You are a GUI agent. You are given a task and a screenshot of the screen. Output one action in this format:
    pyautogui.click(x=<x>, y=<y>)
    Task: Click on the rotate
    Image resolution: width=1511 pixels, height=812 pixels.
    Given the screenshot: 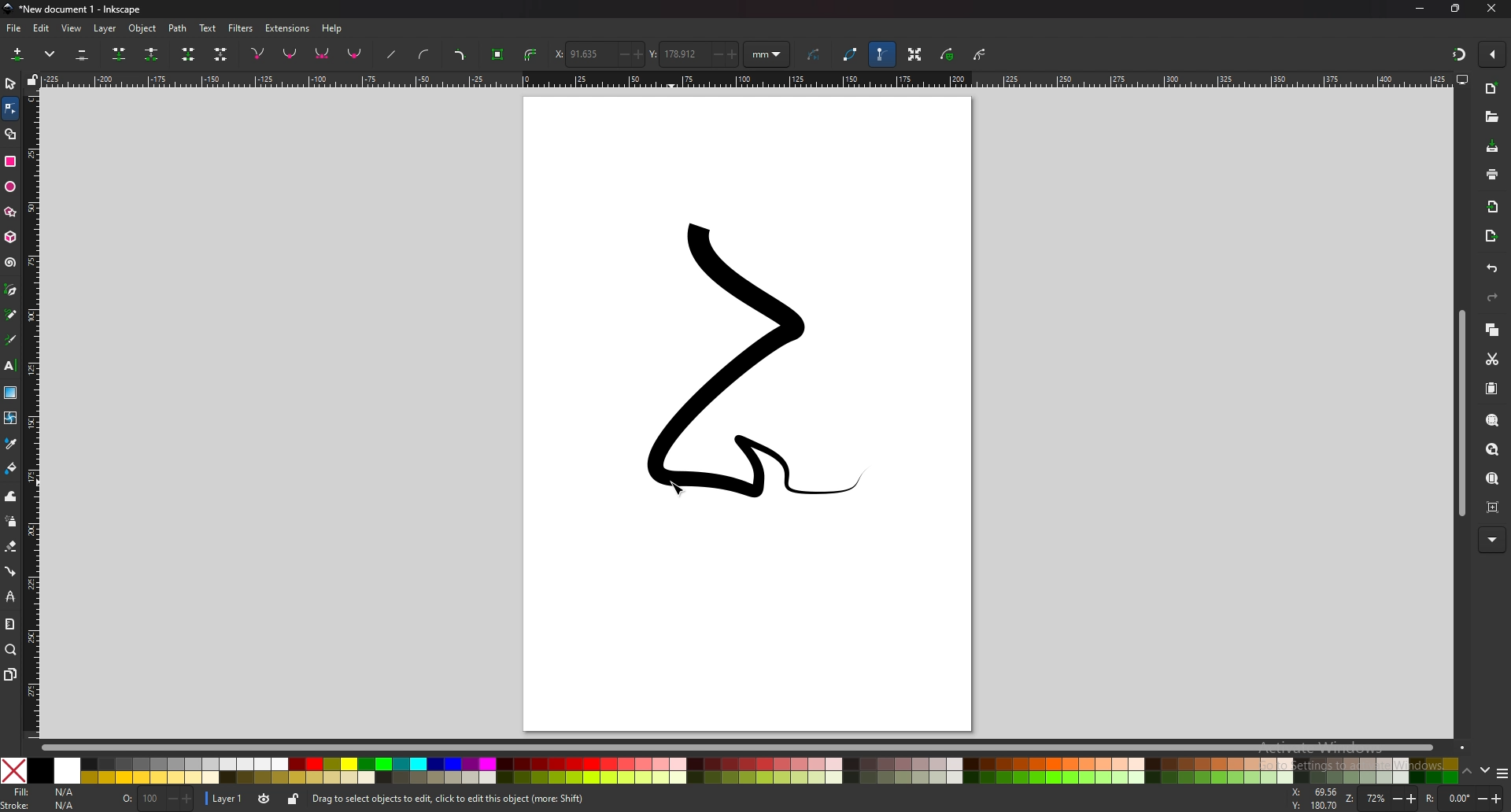 What is the action you would take?
    pyautogui.click(x=1462, y=797)
    